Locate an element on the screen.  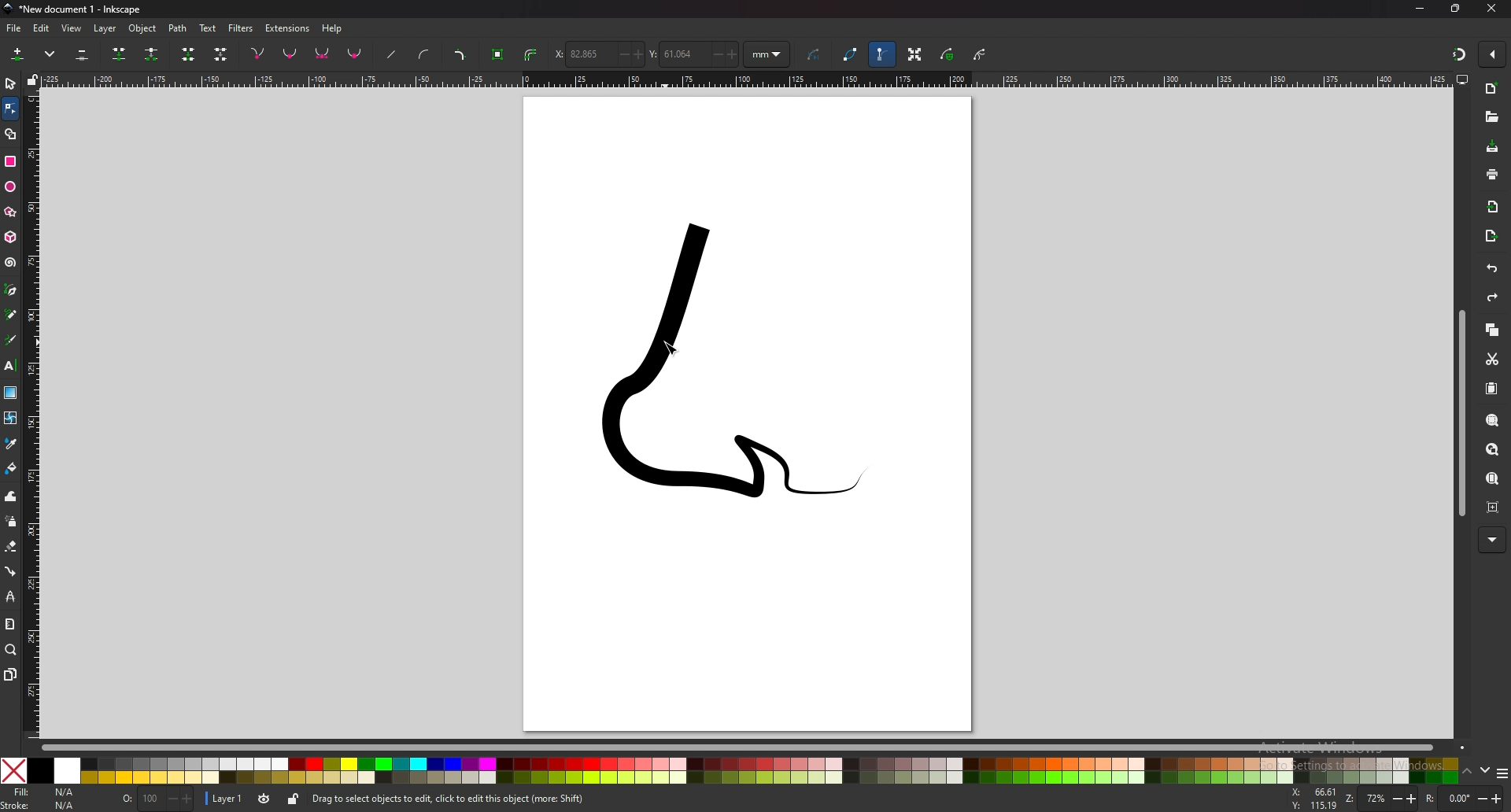
resize is located at coordinates (1456, 9).